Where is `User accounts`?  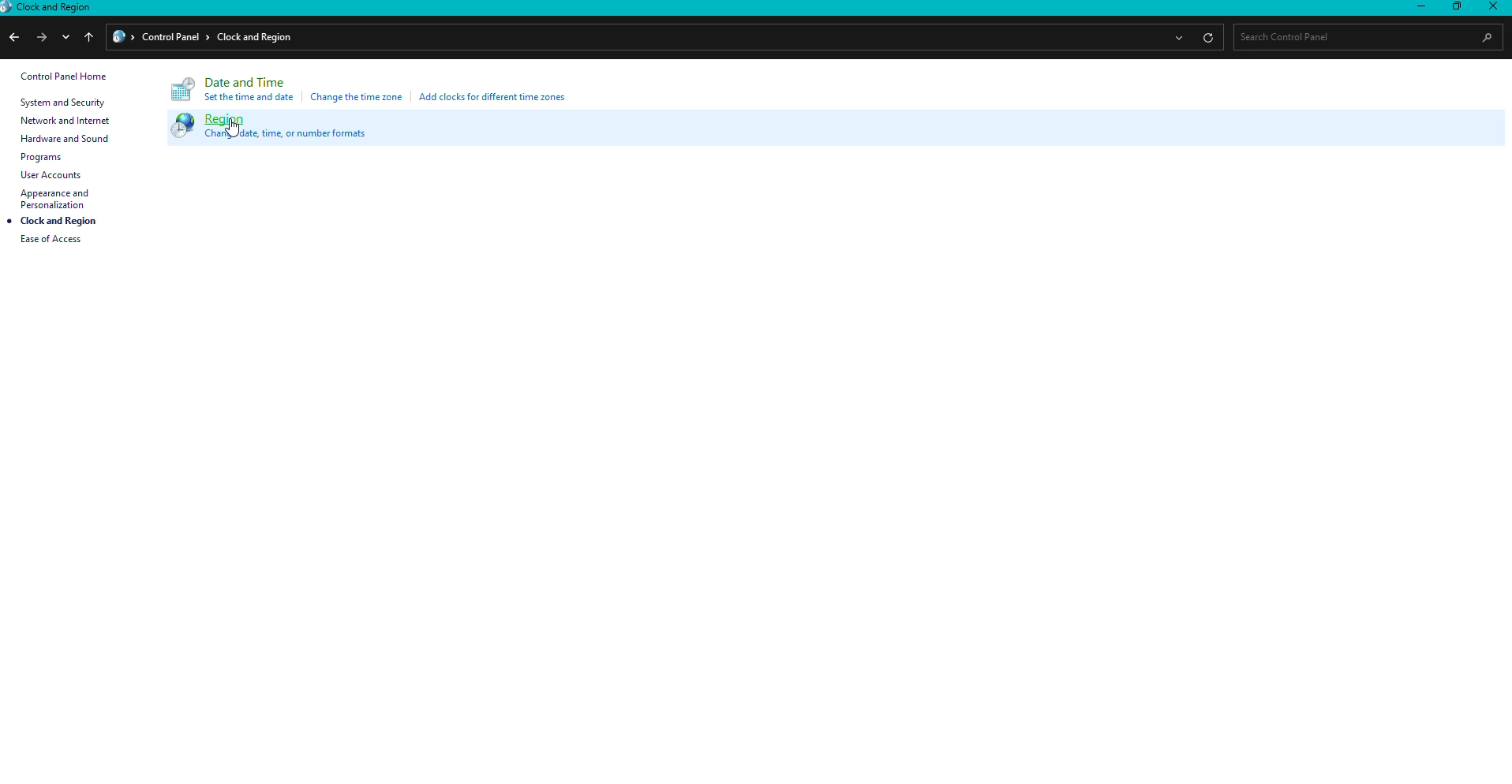
User accounts is located at coordinates (51, 175).